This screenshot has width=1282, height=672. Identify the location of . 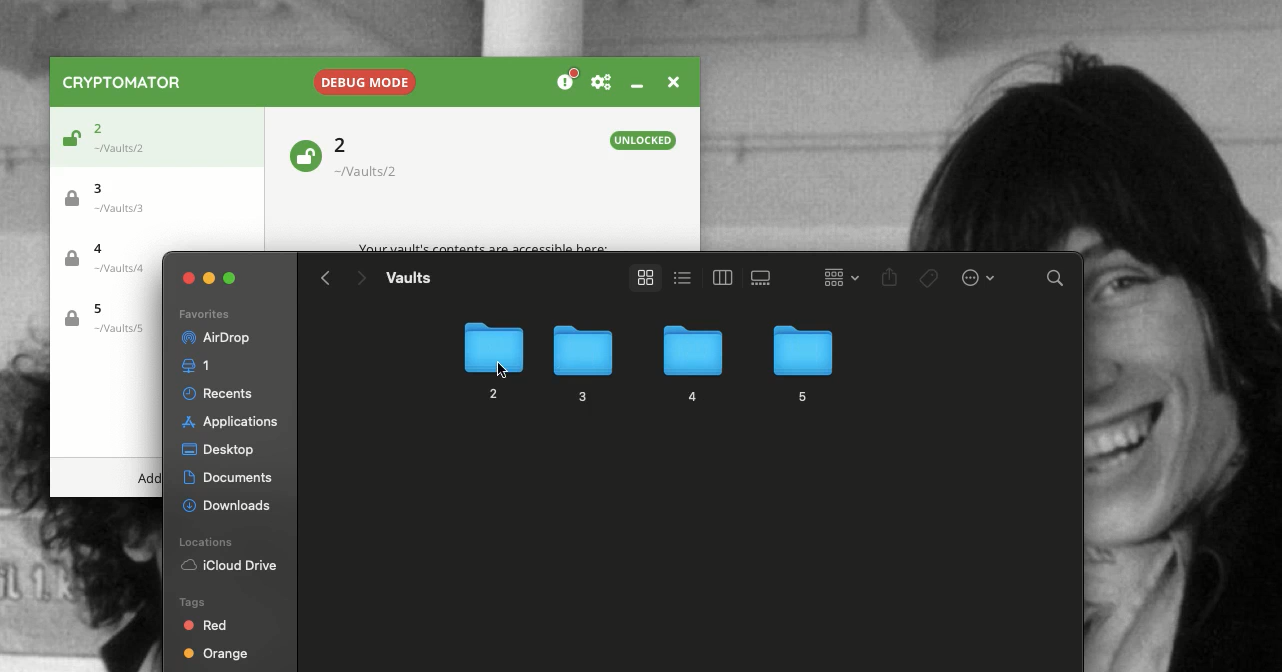
(489, 359).